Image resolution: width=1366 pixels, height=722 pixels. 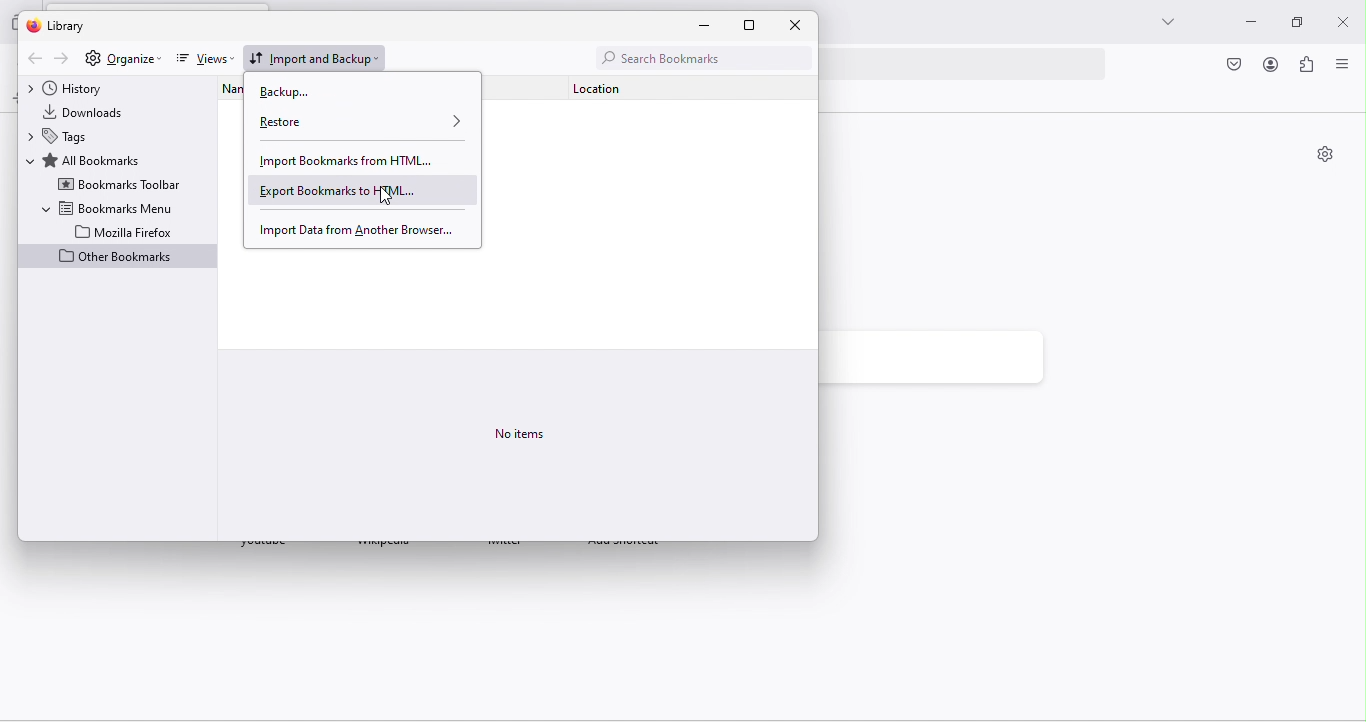 What do you see at coordinates (363, 123) in the screenshot?
I see `restore` at bounding box center [363, 123].